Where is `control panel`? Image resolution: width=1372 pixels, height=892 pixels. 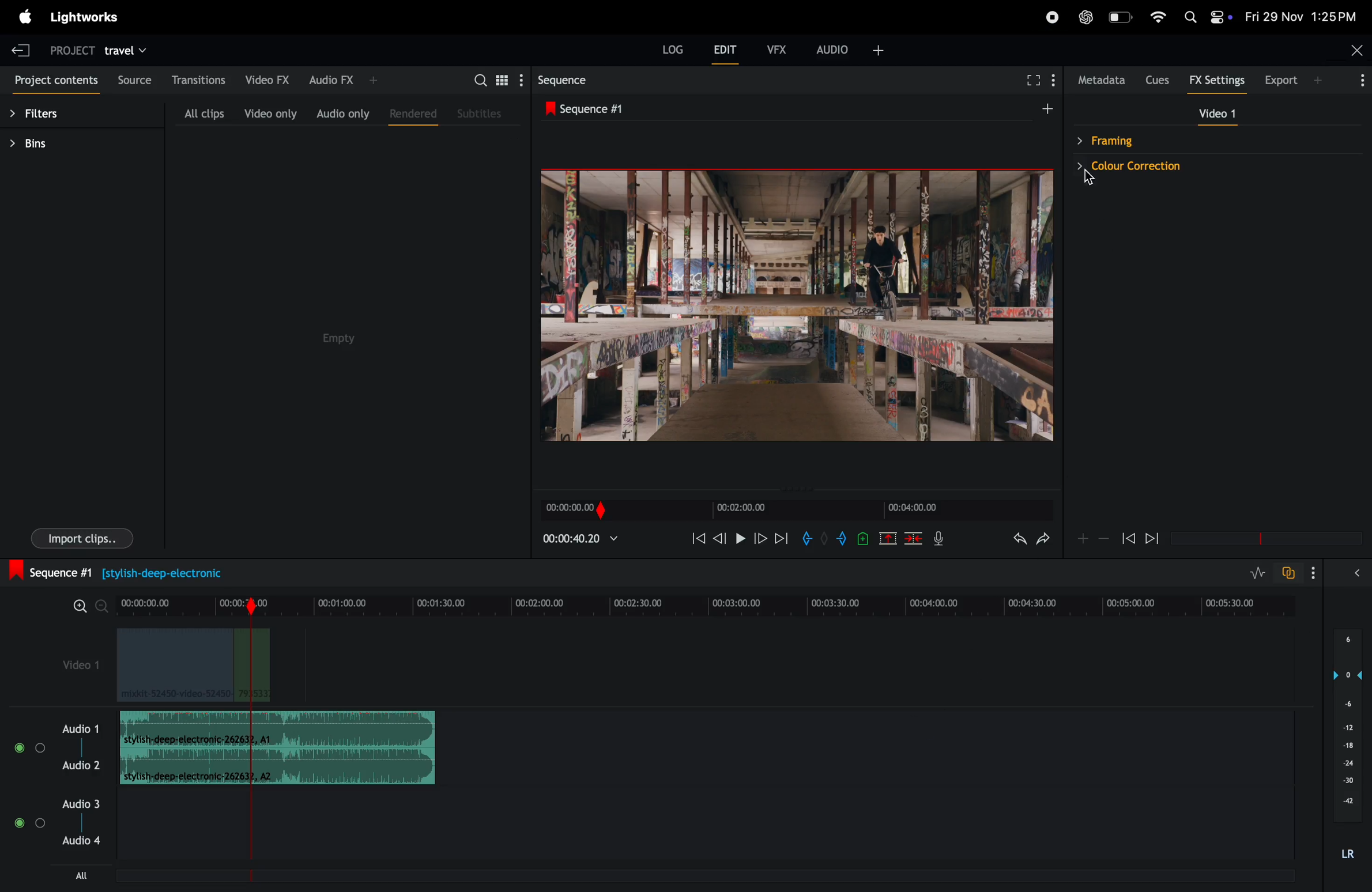
control panel is located at coordinates (1220, 18).